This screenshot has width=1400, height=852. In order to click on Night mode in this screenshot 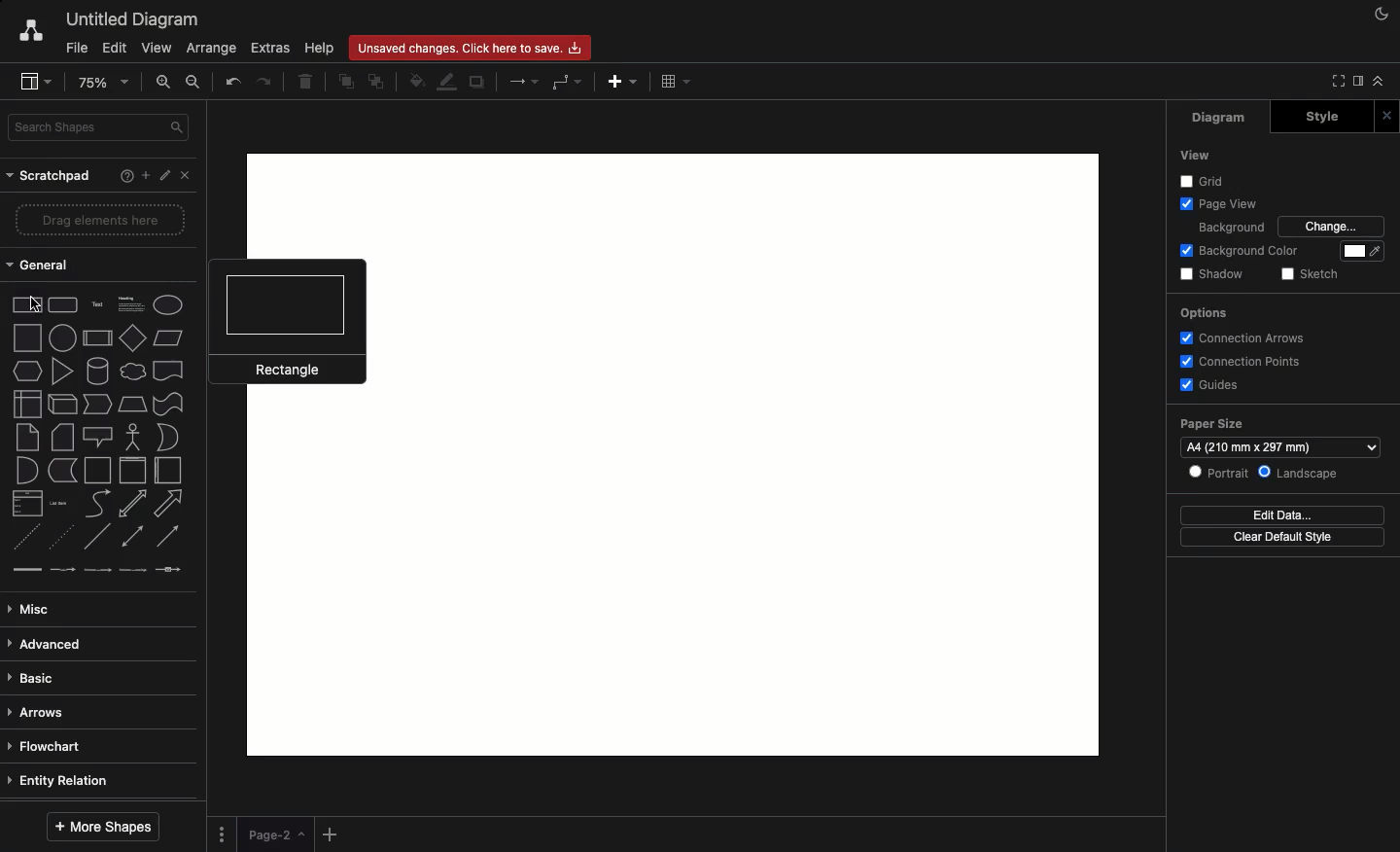, I will do `click(1380, 13)`.